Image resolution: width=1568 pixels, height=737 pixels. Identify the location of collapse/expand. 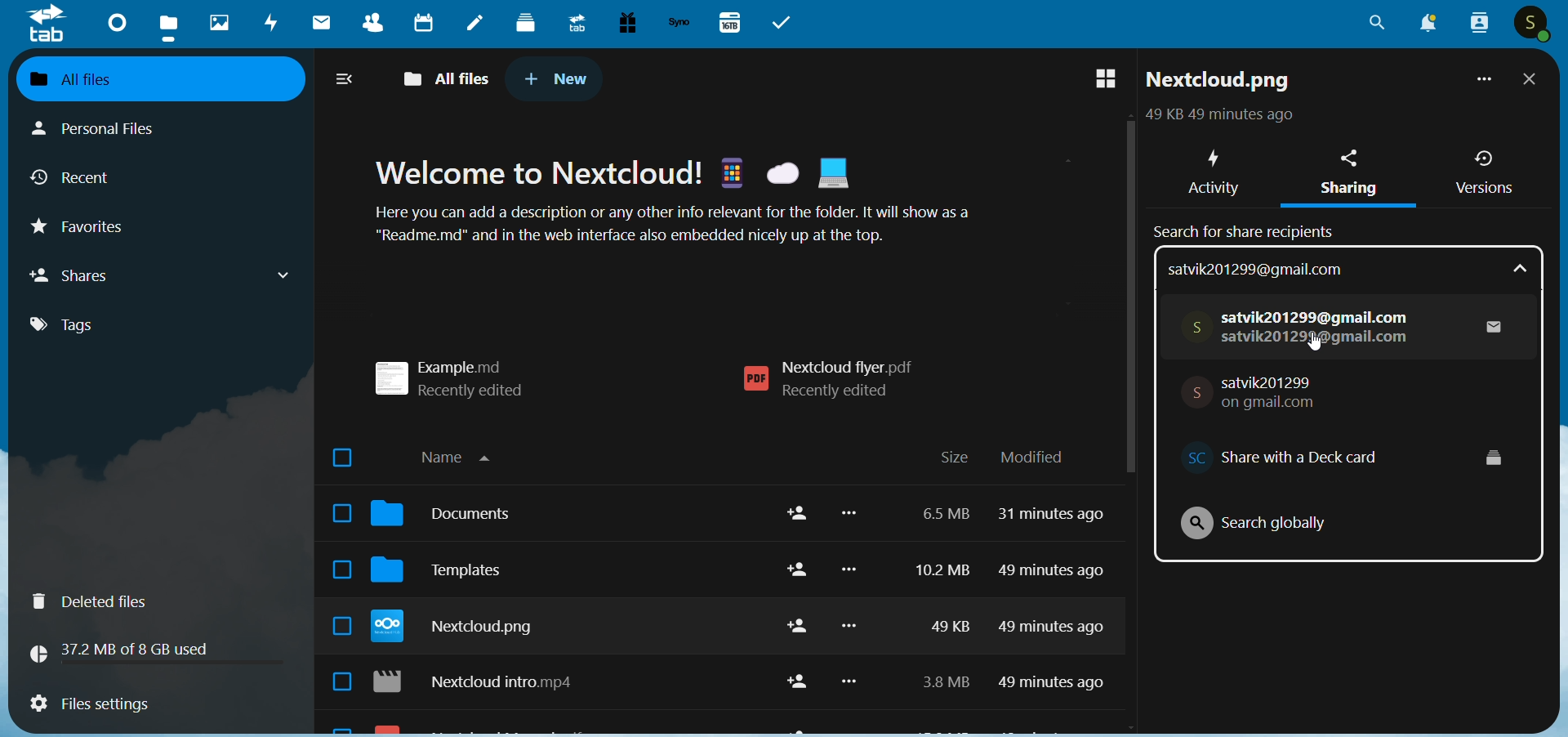
(346, 81).